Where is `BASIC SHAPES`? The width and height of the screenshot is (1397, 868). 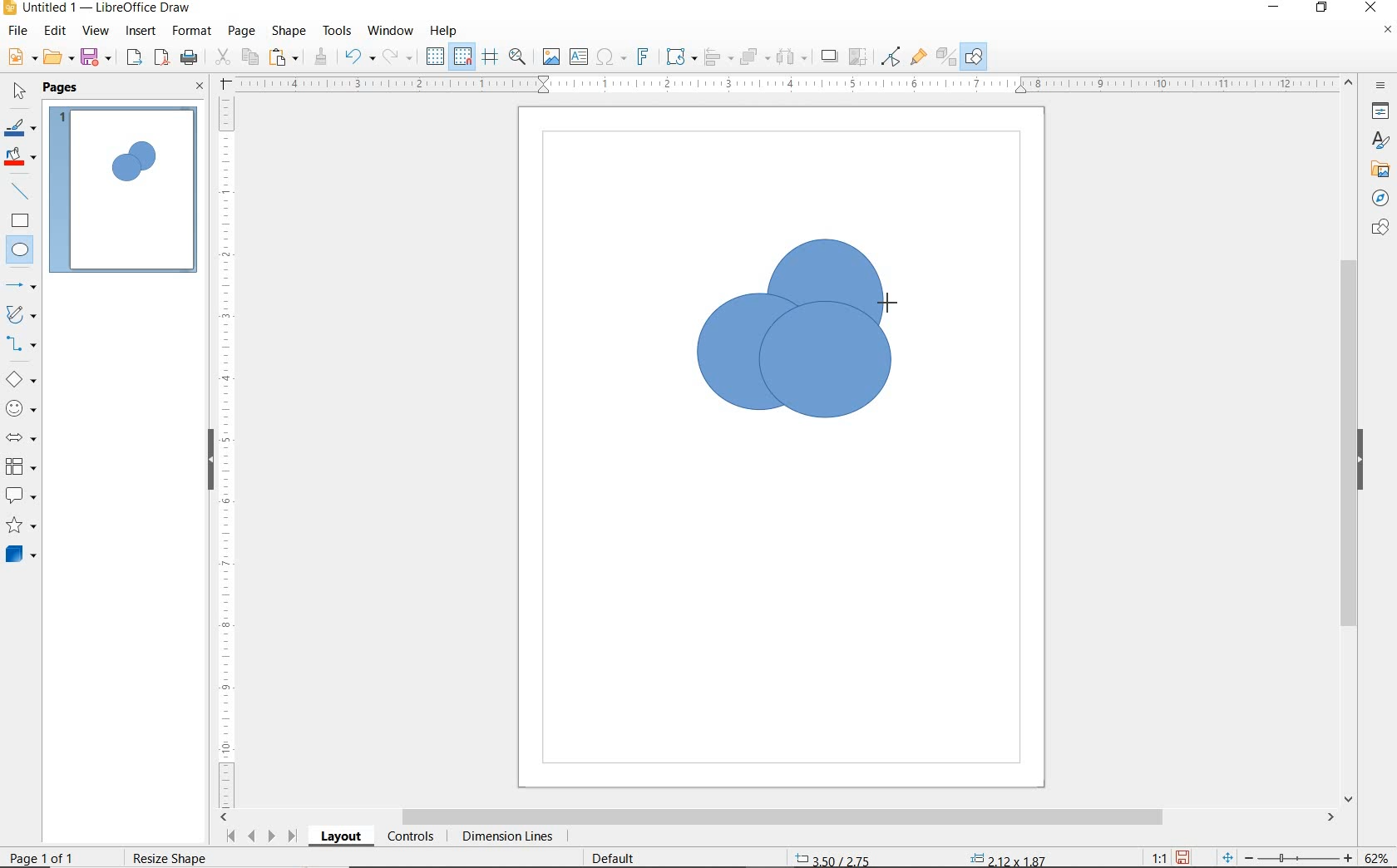
BASIC SHAPES is located at coordinates (22, 382).